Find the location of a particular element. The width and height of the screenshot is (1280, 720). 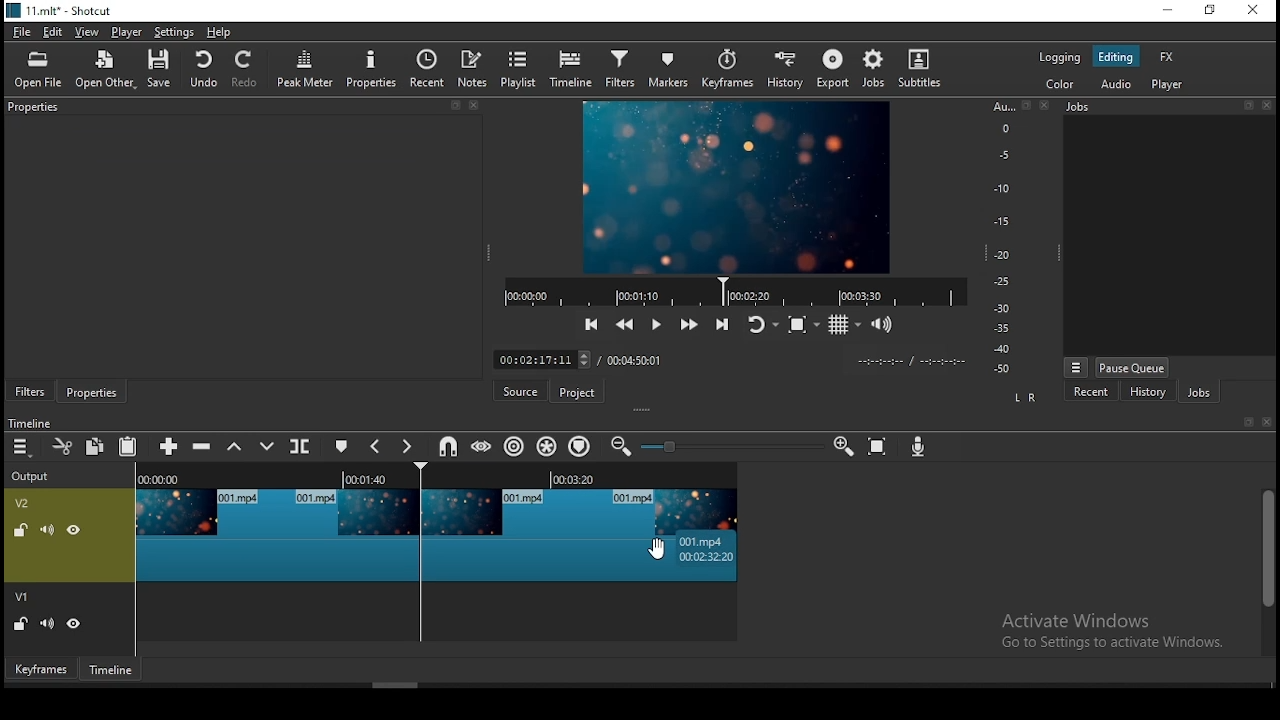

edit is located at coordinates (53, 33).